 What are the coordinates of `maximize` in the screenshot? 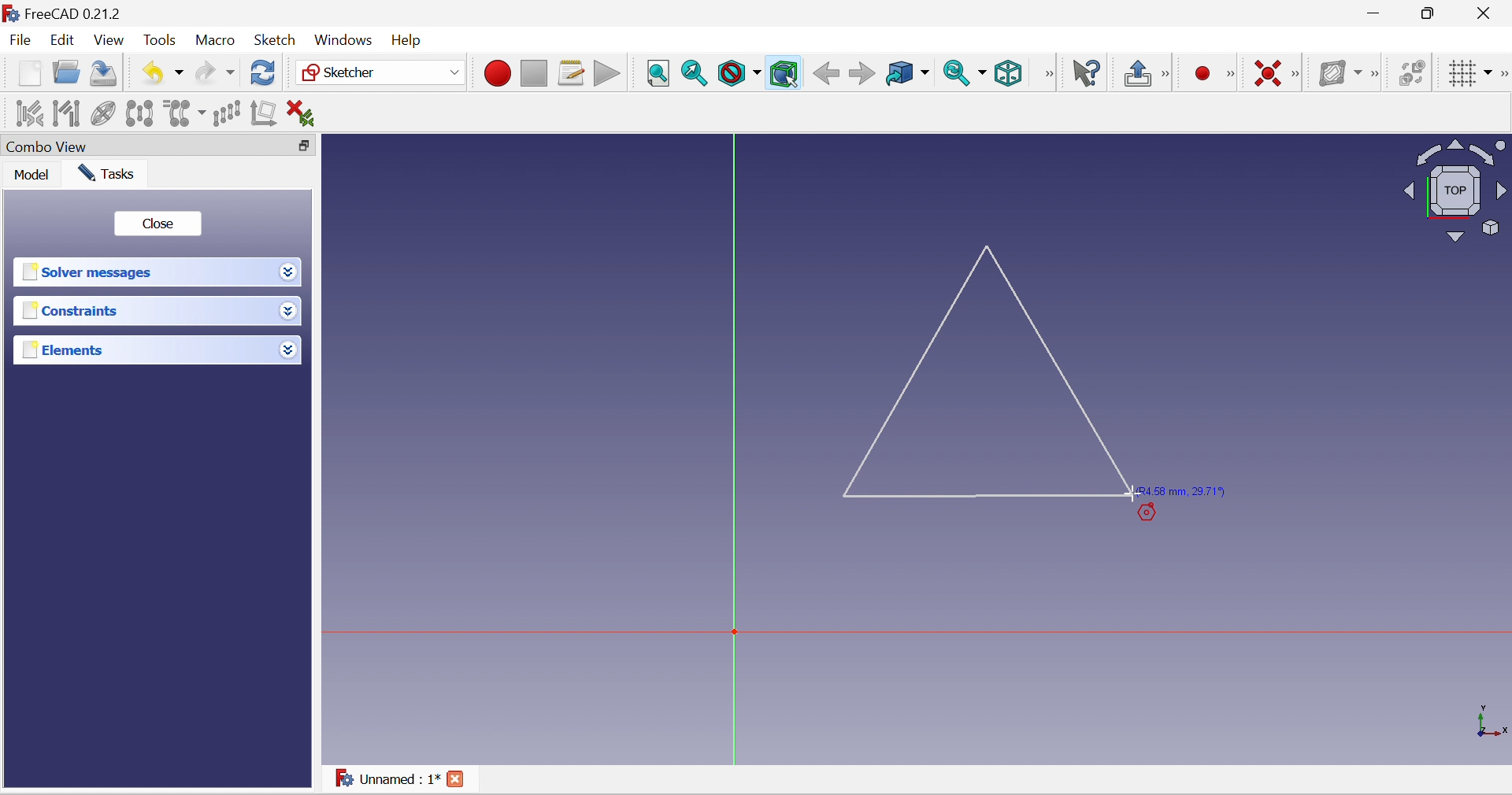 It's located at (1430, 13).